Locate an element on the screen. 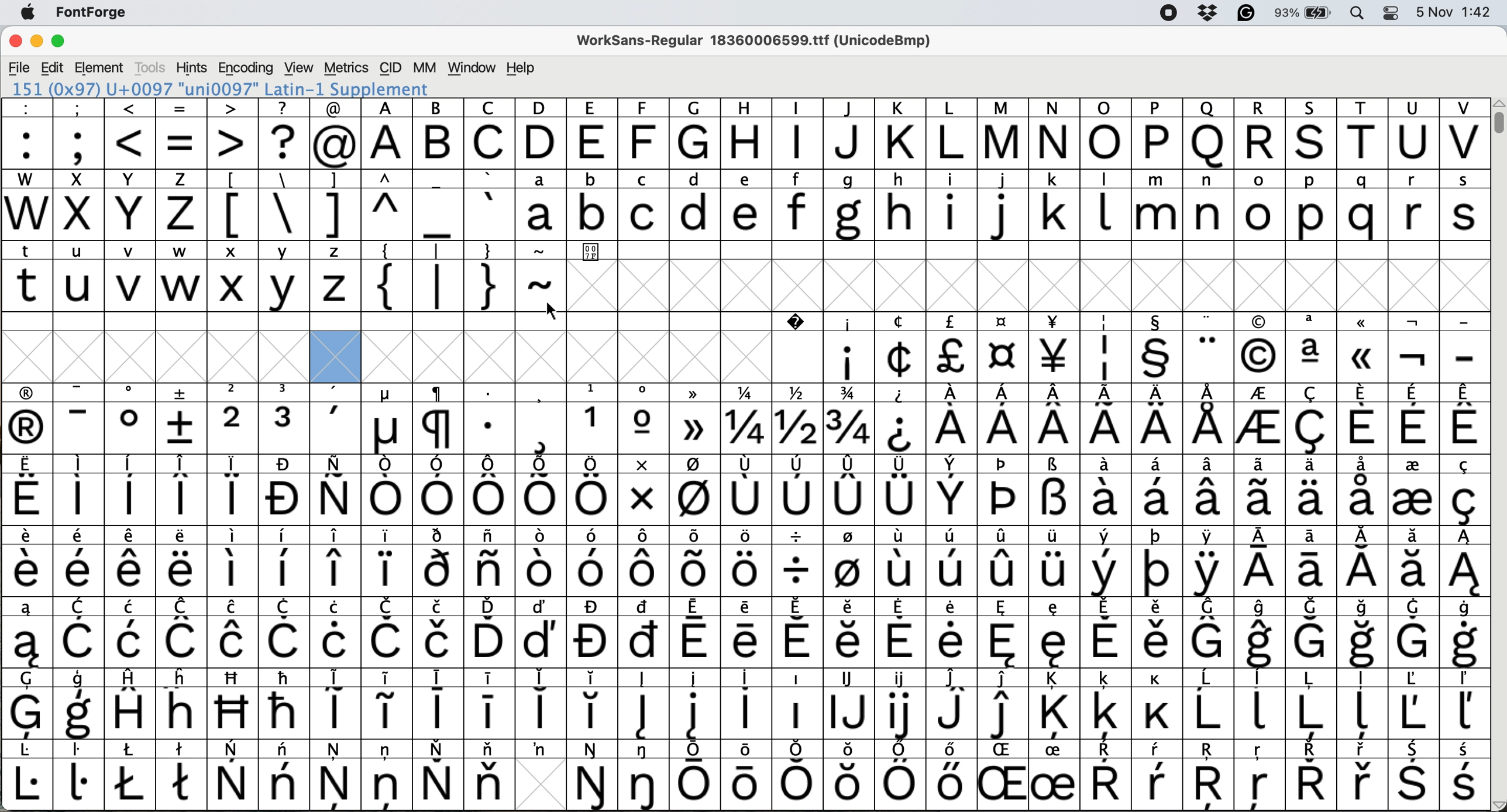 The image size is (1507, 812). symbol is located at coordinates (1157, 419).